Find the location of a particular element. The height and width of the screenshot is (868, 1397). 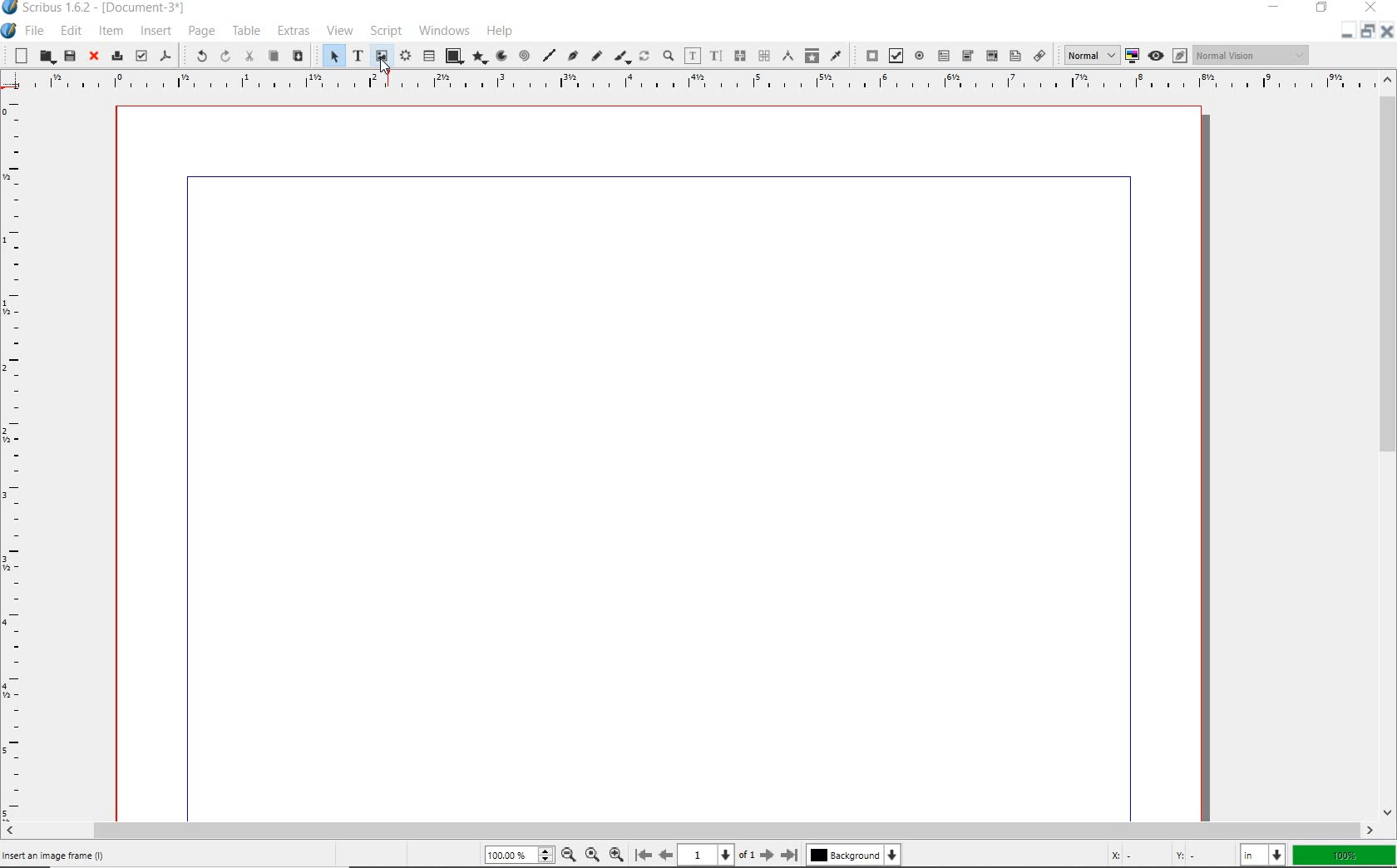

workspace is located at coordinates (663, 465).